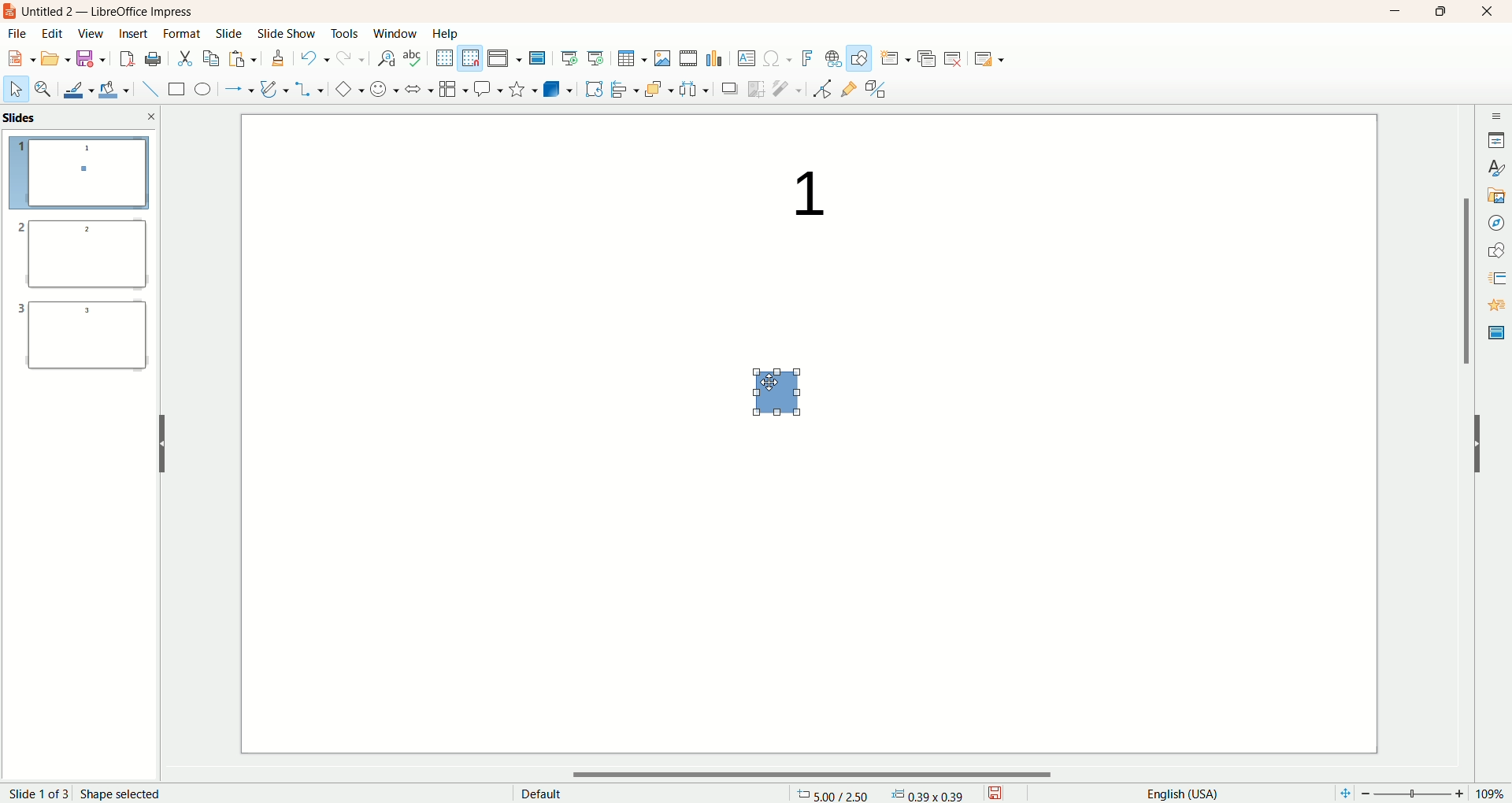 The height and width of the screenshot is (803, 1512). What do you see at coordinates (1494, 794) in the screenshot?
I see `zoom percentage` at bounding box center [1494, 794].